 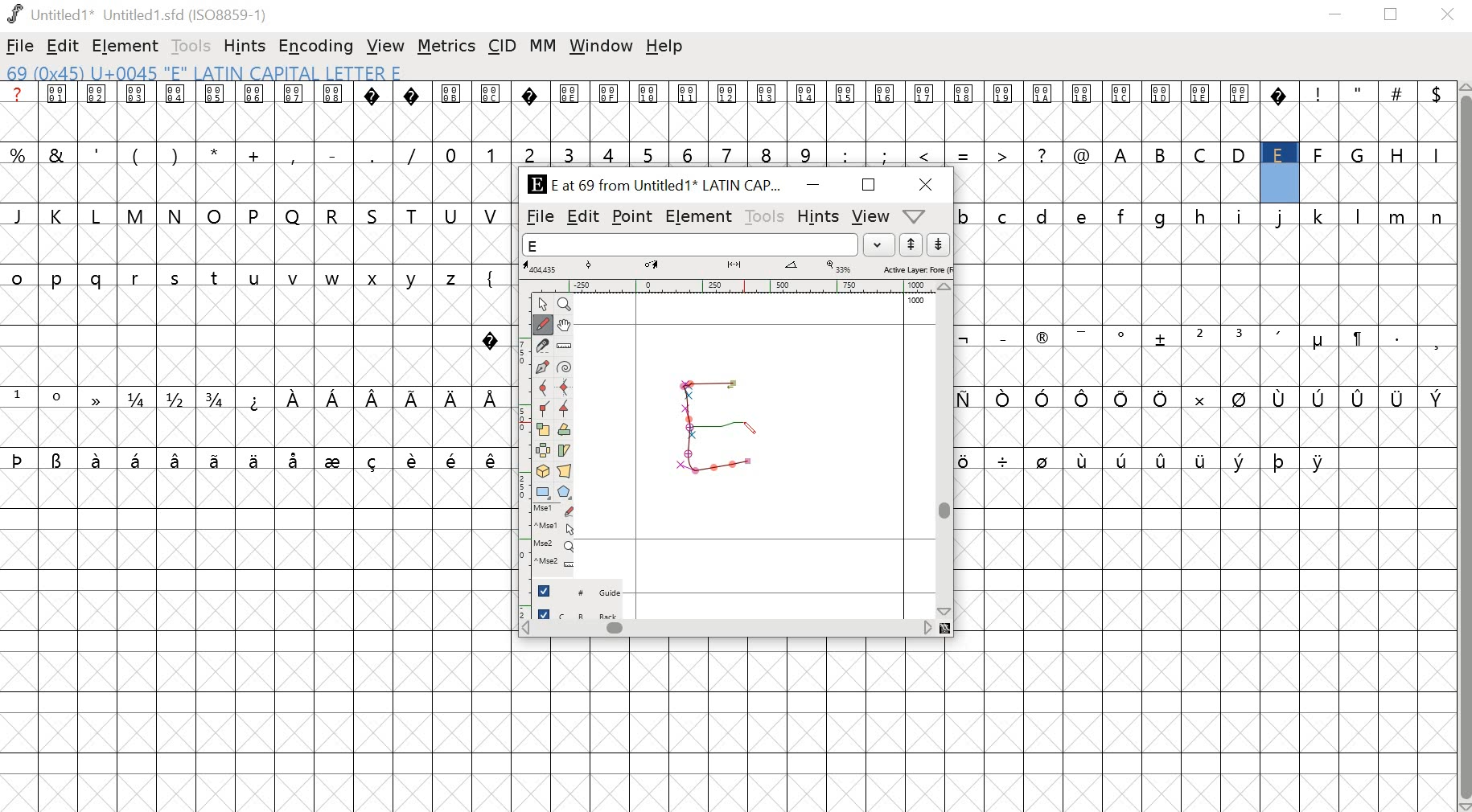 What do you see at coordinates (948, 450) in the screenshot?
I see `scrollbar` at bounding box center [948, 450].